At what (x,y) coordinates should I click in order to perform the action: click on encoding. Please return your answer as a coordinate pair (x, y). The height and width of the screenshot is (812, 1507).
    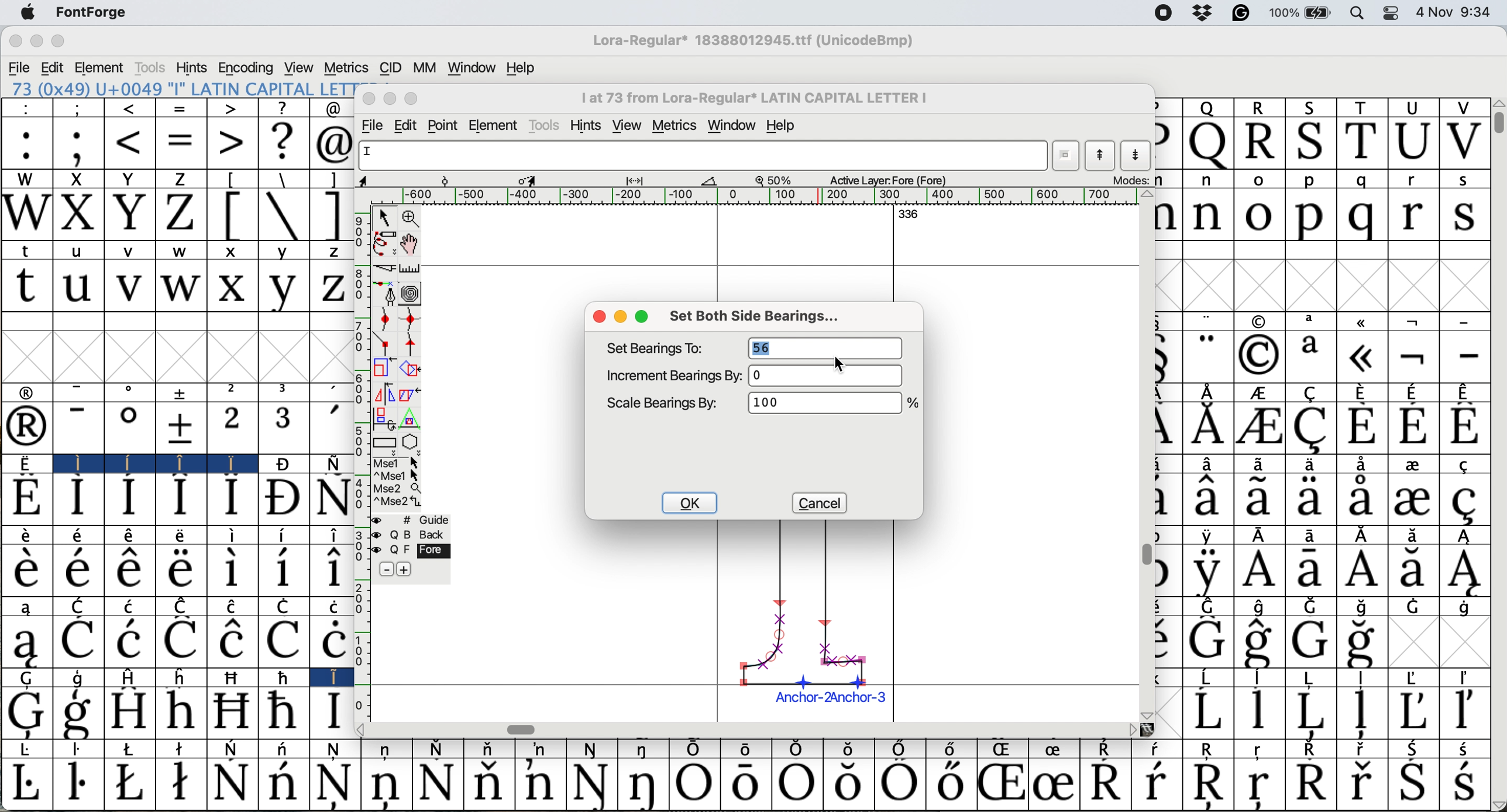
    Looking at the image, I should click on (247, 67).